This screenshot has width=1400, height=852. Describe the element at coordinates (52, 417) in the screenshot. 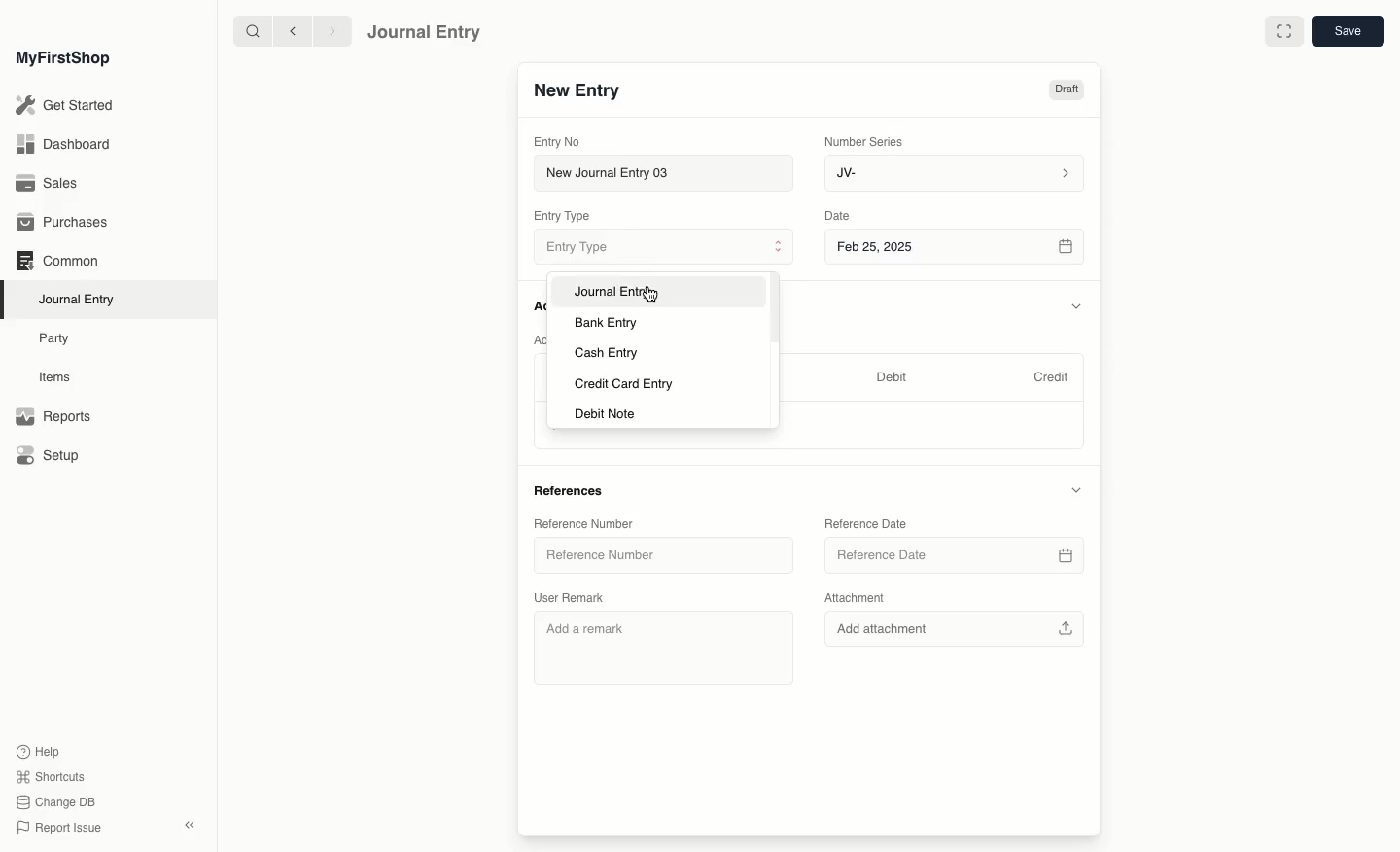

I see `Reports` at that location.